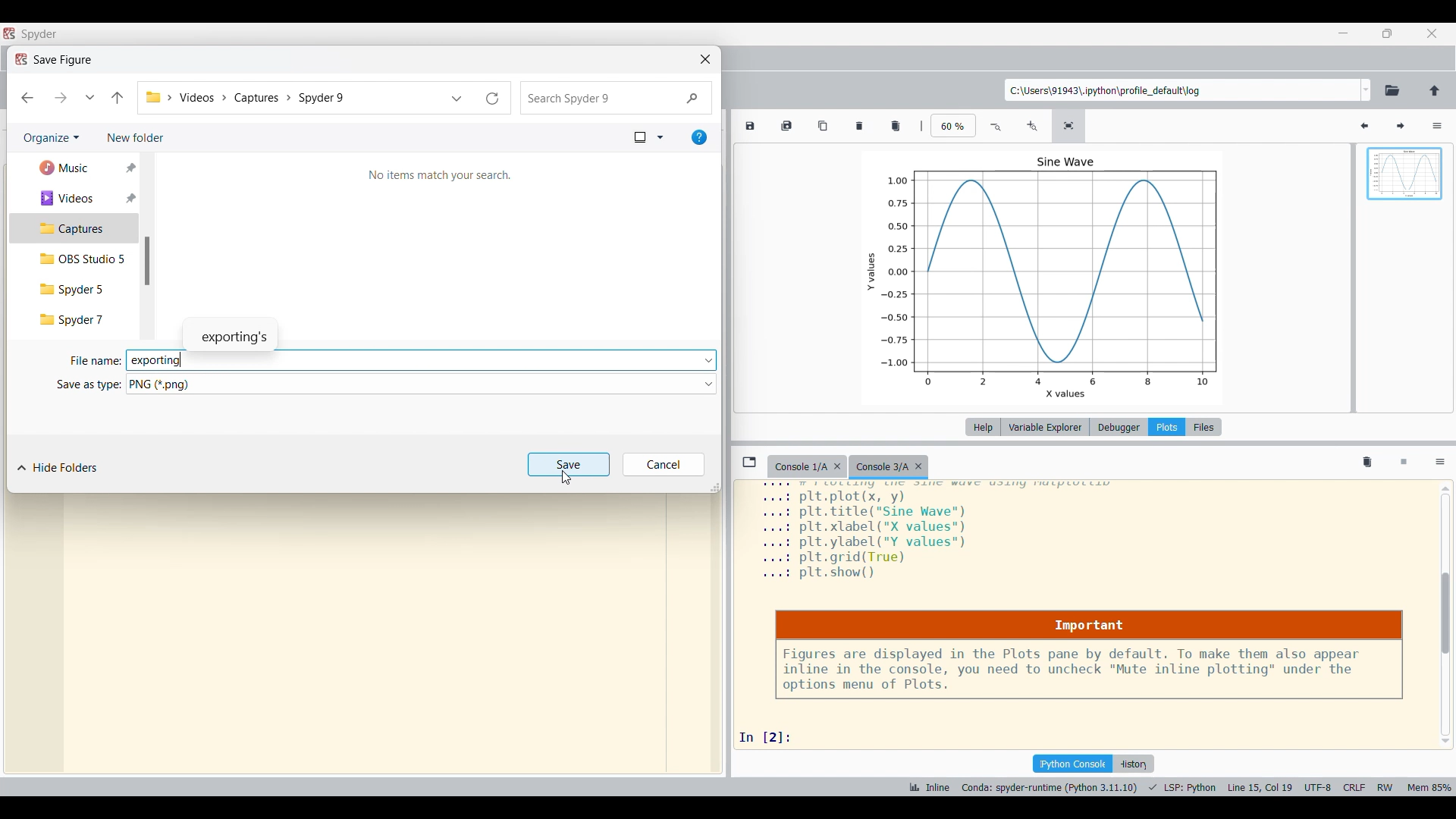  Describe the element at coordinates (1393, 90) in the screenshot. I see `Browse working directory` at that location.